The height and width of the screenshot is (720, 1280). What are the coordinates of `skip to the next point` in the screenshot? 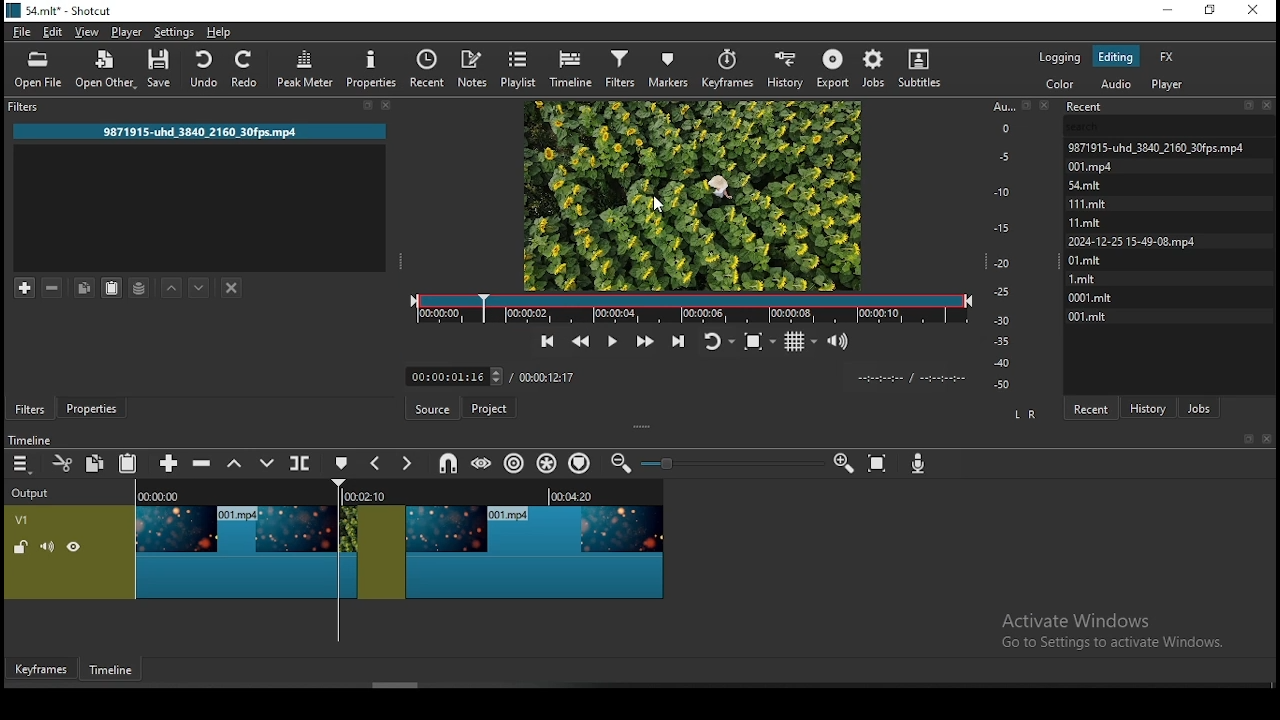 It's located at (682, 338).